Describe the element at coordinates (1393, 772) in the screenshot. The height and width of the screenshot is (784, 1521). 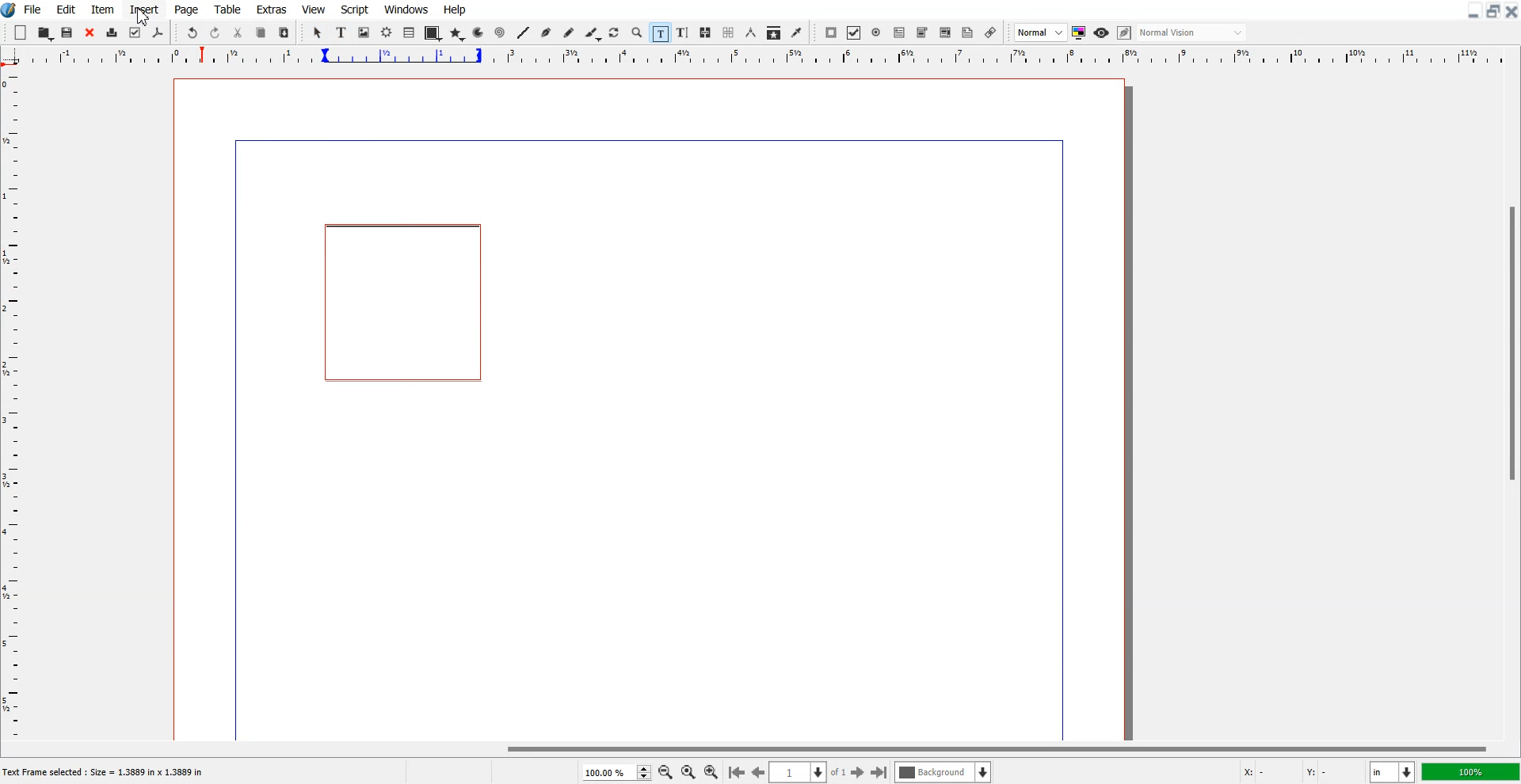
I see `Measurement in Inches` at that location.